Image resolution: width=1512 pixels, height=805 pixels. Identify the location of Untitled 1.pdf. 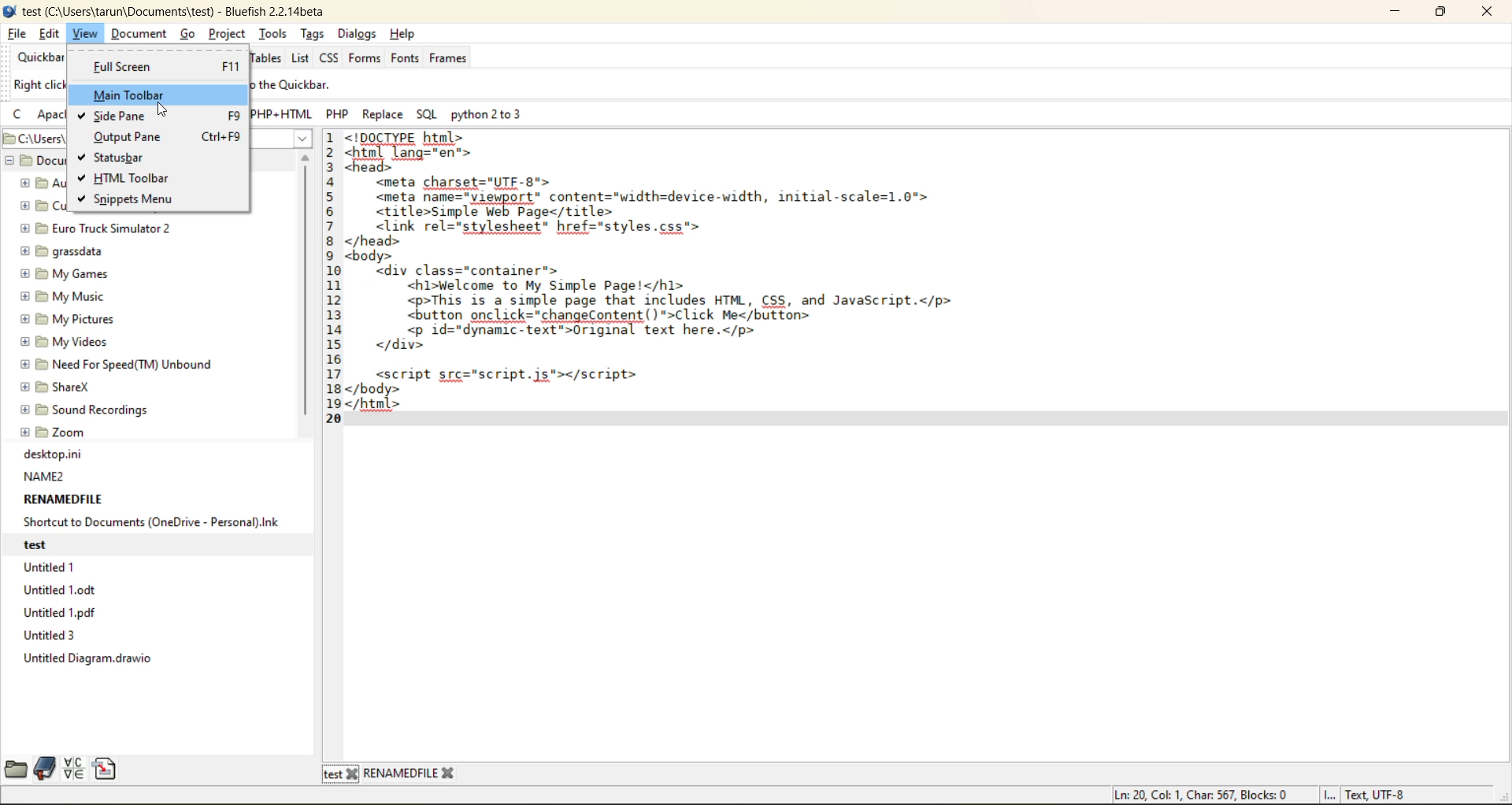
(61, 613).